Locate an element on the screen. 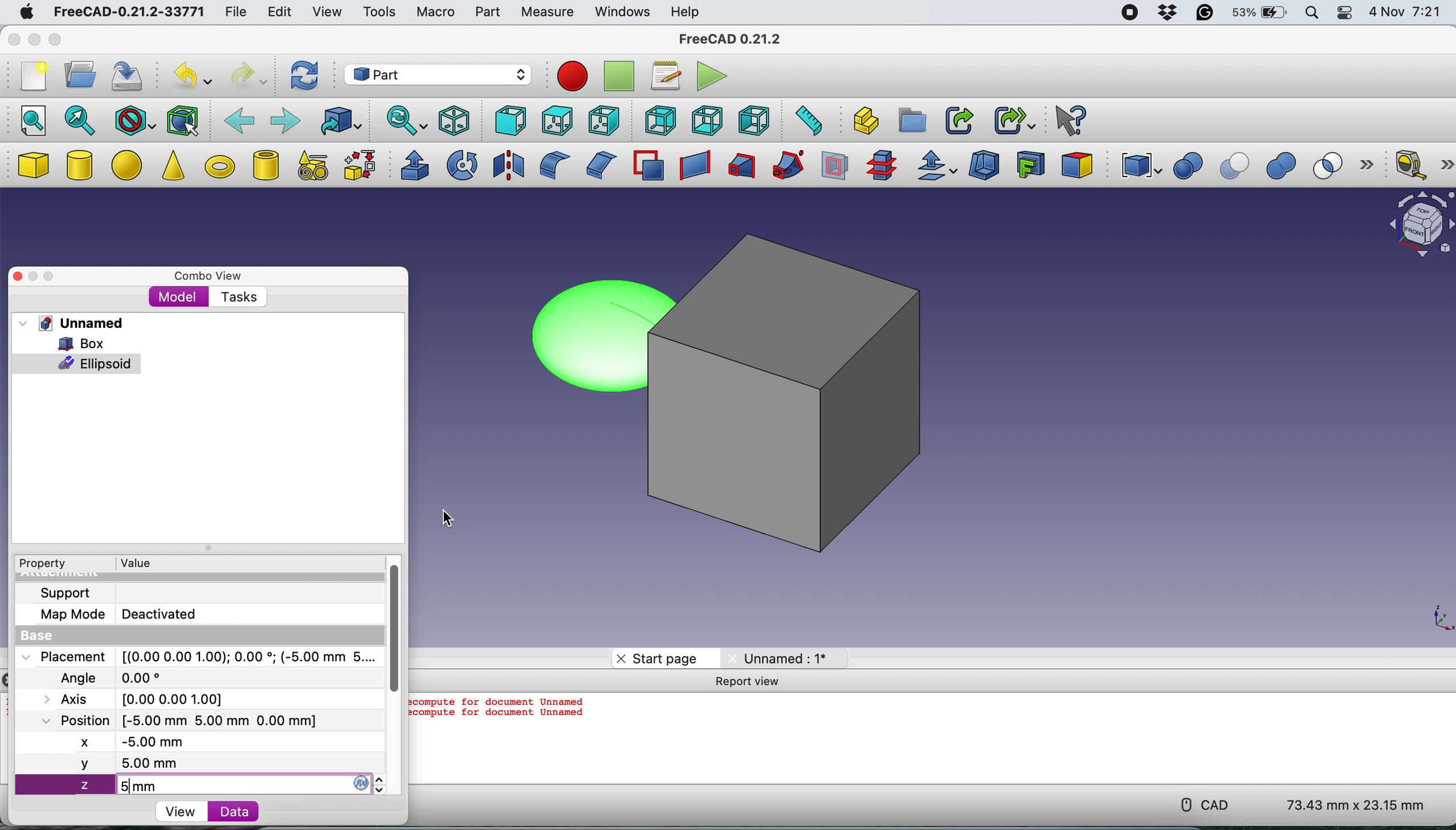 This screenshot has height=830, width=1456. boolean is located at coordinates (1188, 166).